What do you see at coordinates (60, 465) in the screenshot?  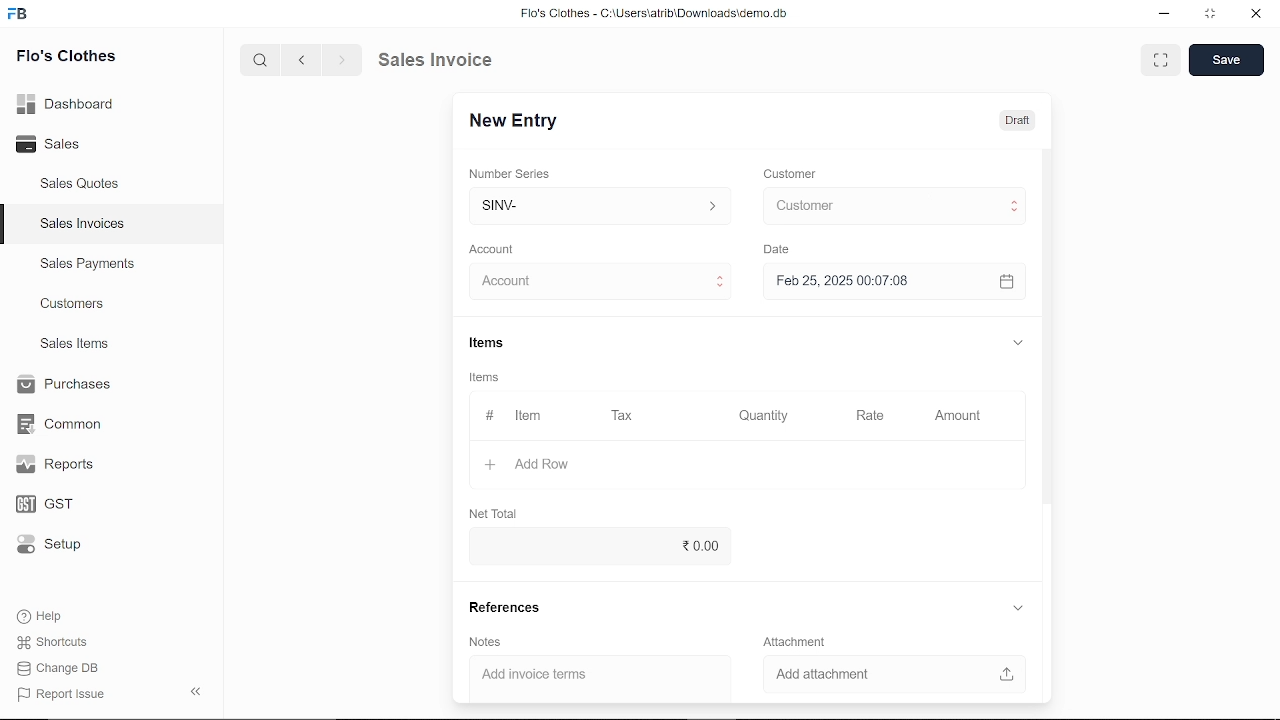 I see `Reports` at bounding box center [60, 465].